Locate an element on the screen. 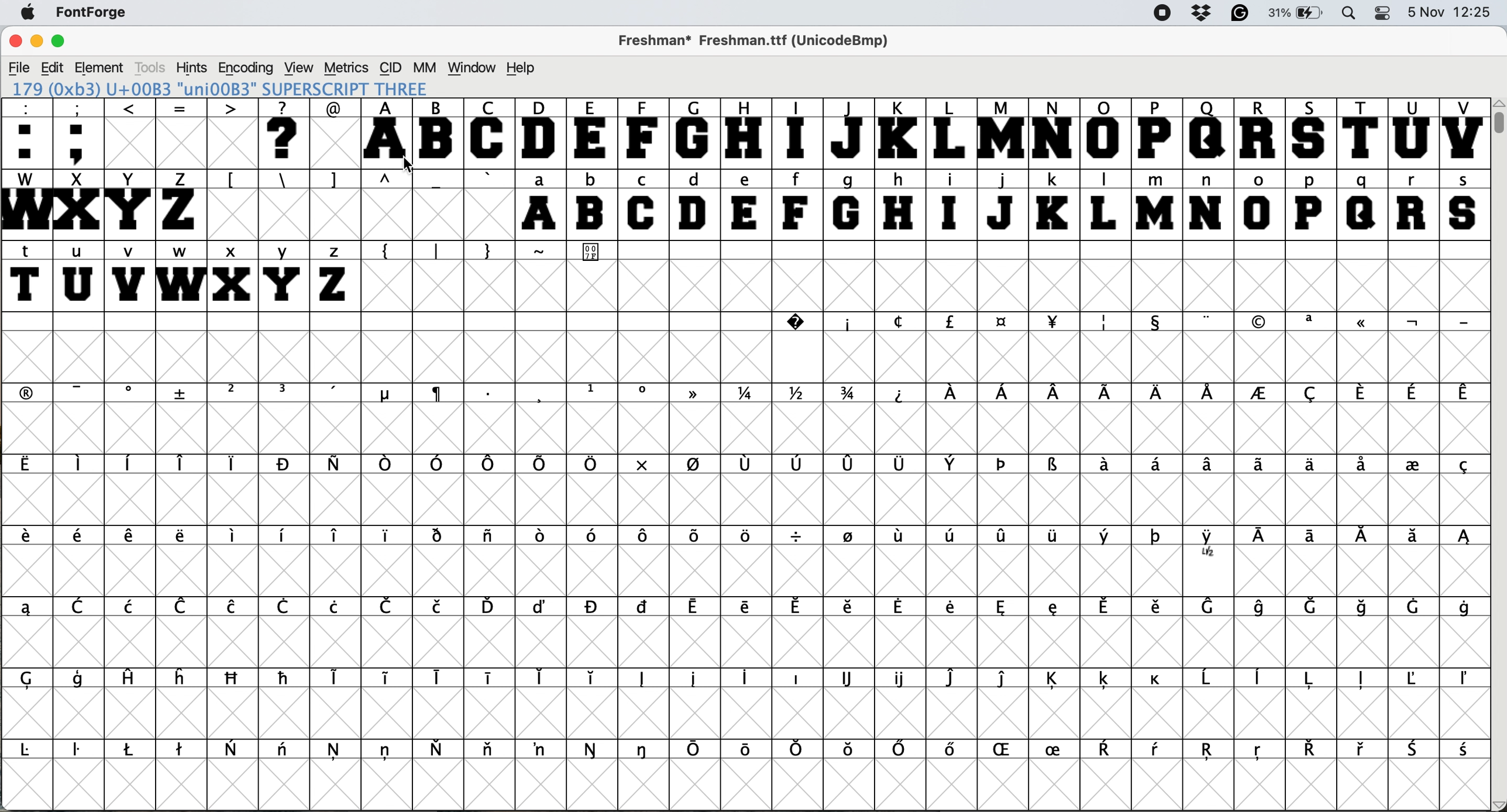 This screenshot has height=812, width=1507. symbol is located at coordinates (1413, 463).